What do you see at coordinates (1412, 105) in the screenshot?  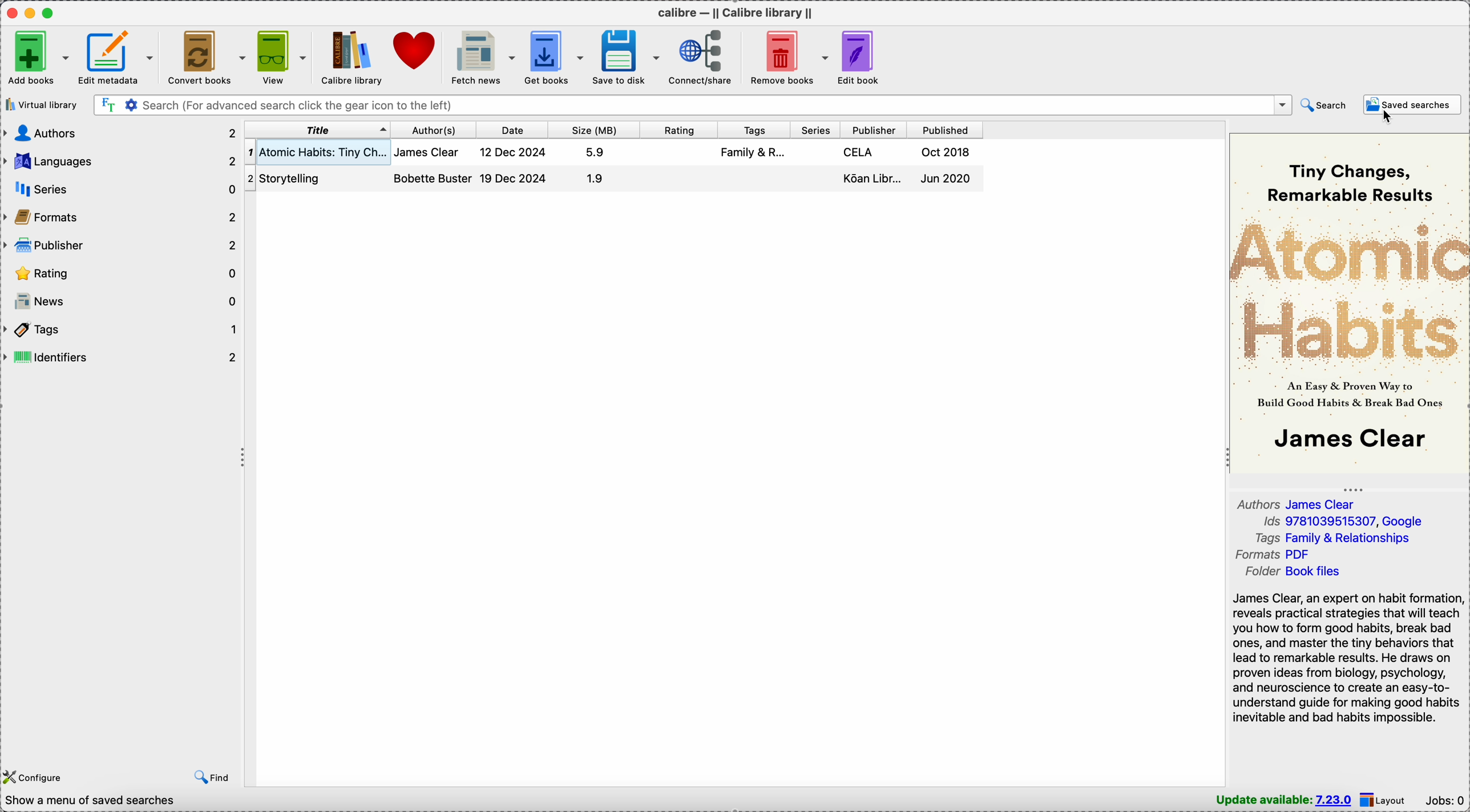 I see `saved searches` at bounding box center [1412, 105].